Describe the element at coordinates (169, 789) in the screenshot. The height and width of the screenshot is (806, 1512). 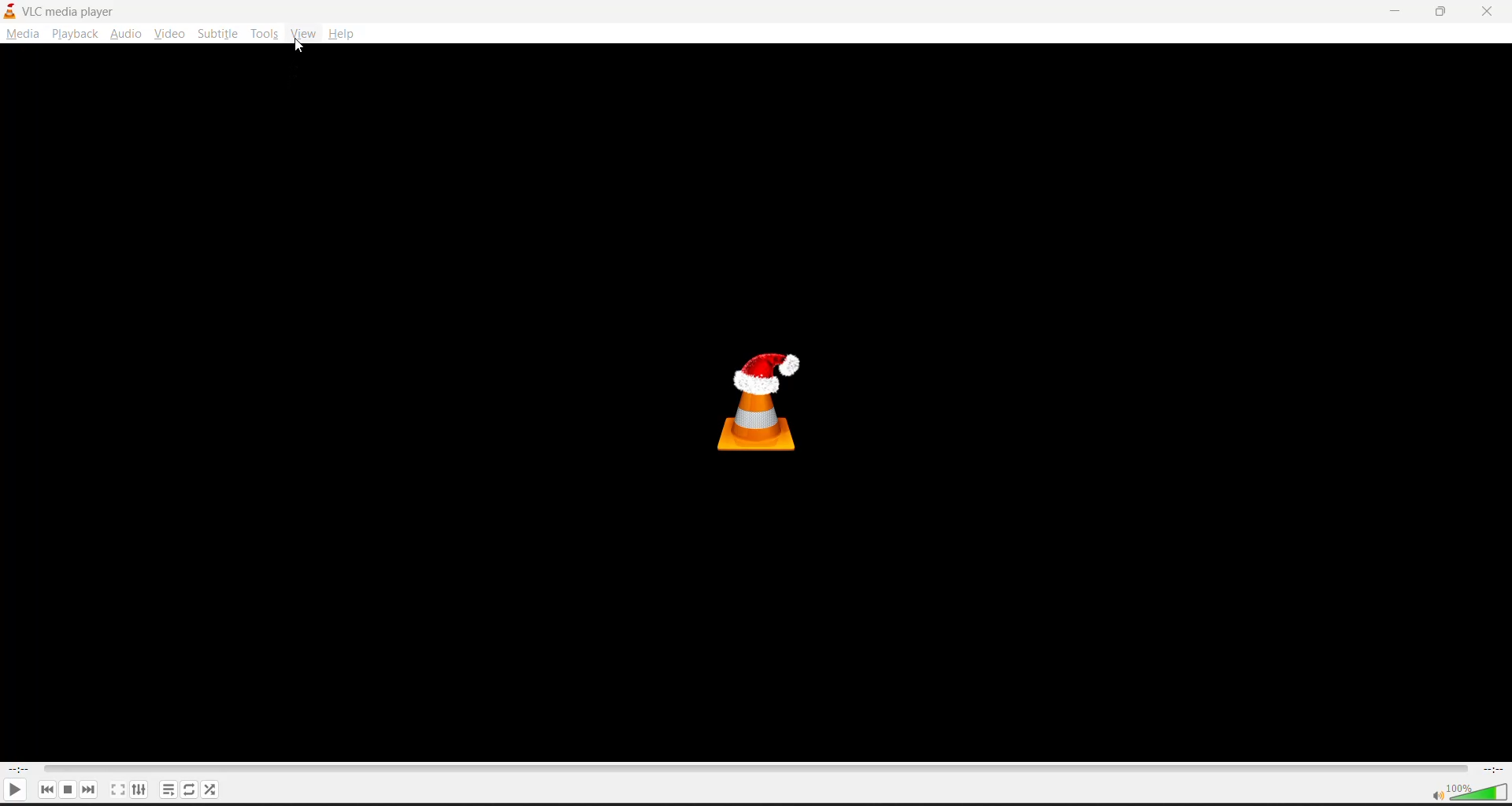
I see `toggle playlist` at that location.